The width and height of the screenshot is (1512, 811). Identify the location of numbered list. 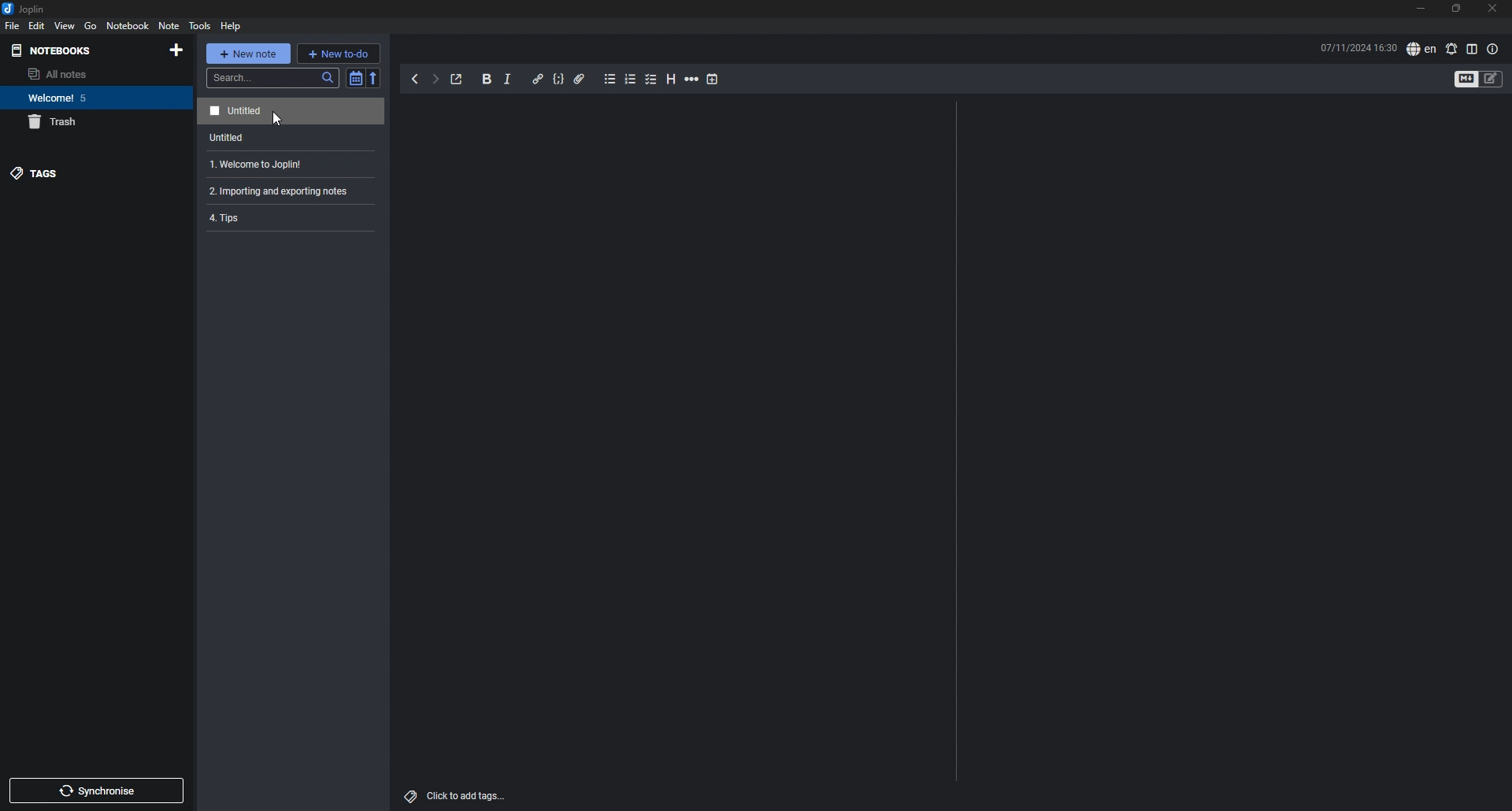
(631, 79).